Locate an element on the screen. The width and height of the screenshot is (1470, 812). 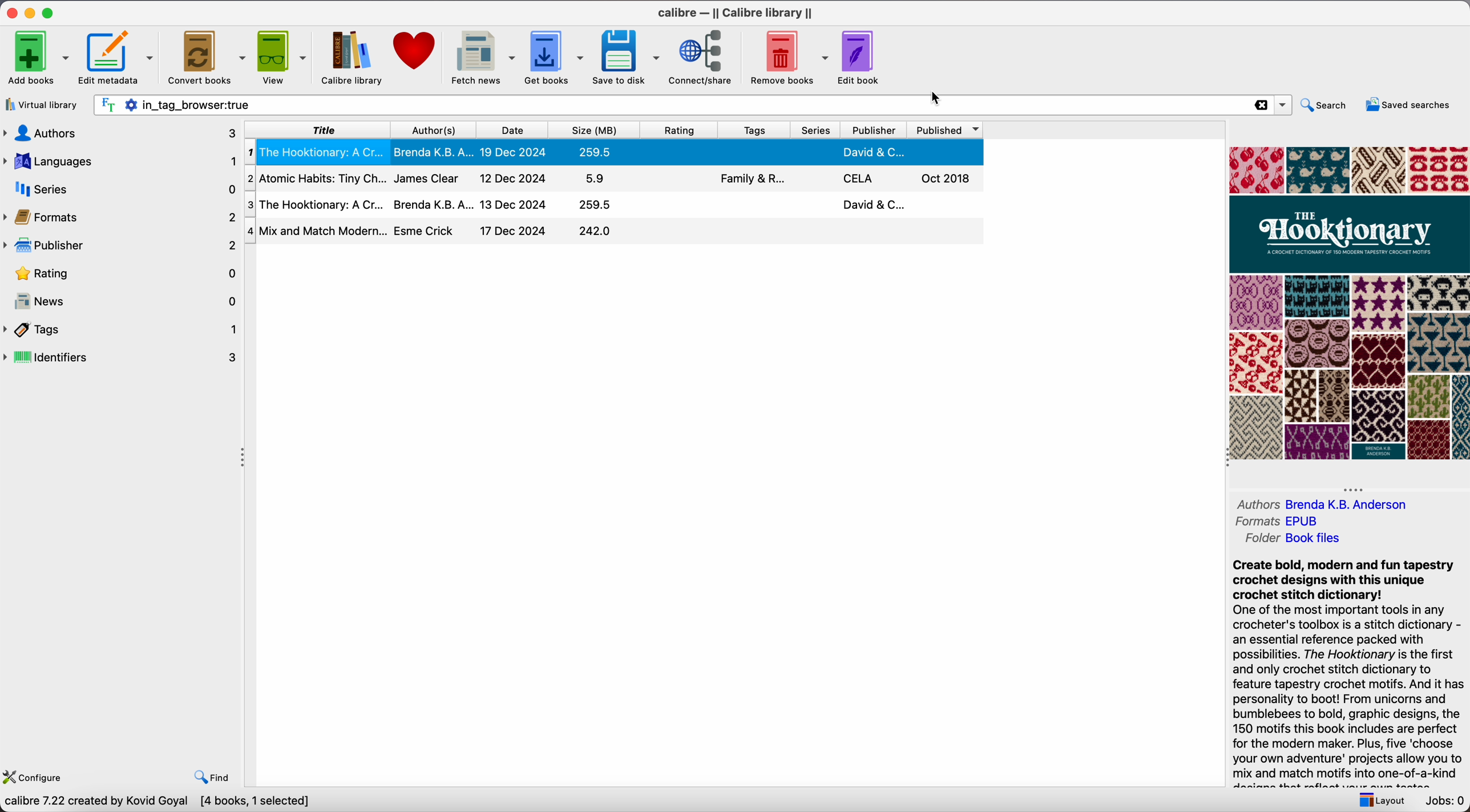
get books is located at coordinates (556, 56).